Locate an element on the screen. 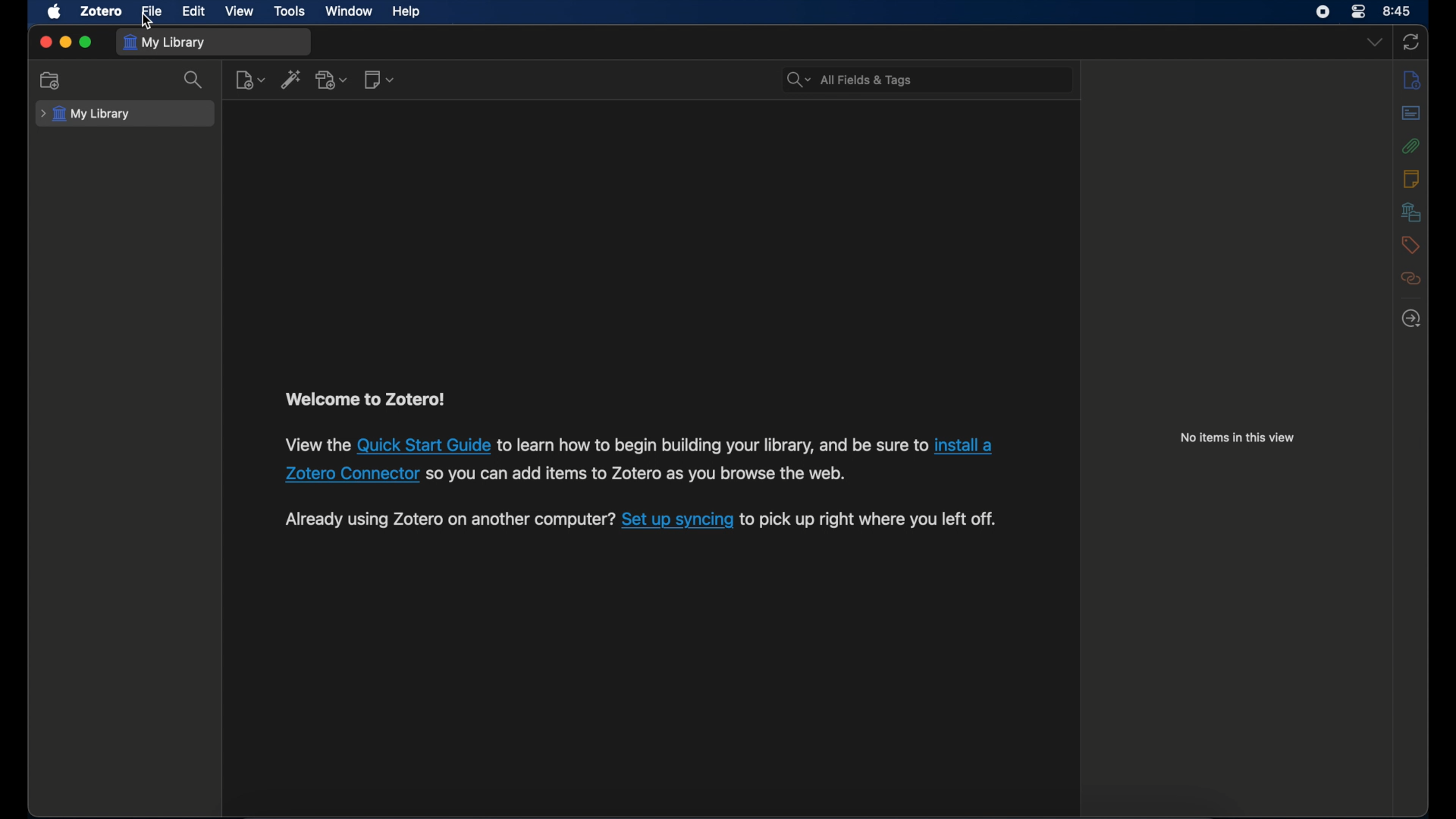  Zotero connector link is located at coordinates (964, 445).